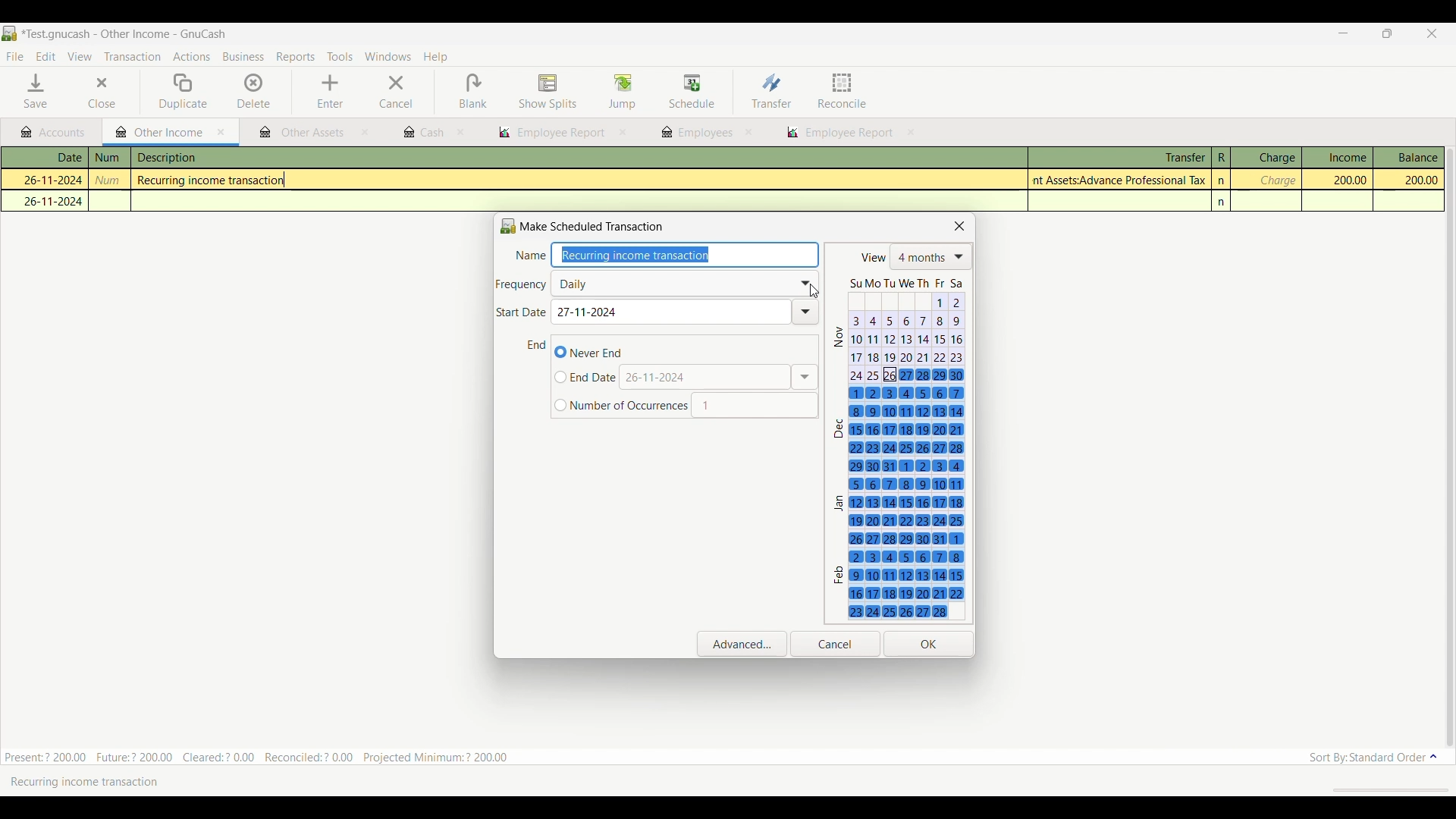 This screenshot has height=819, width=1456. I want to click on Frequency of transaction list, so click(686, 284).